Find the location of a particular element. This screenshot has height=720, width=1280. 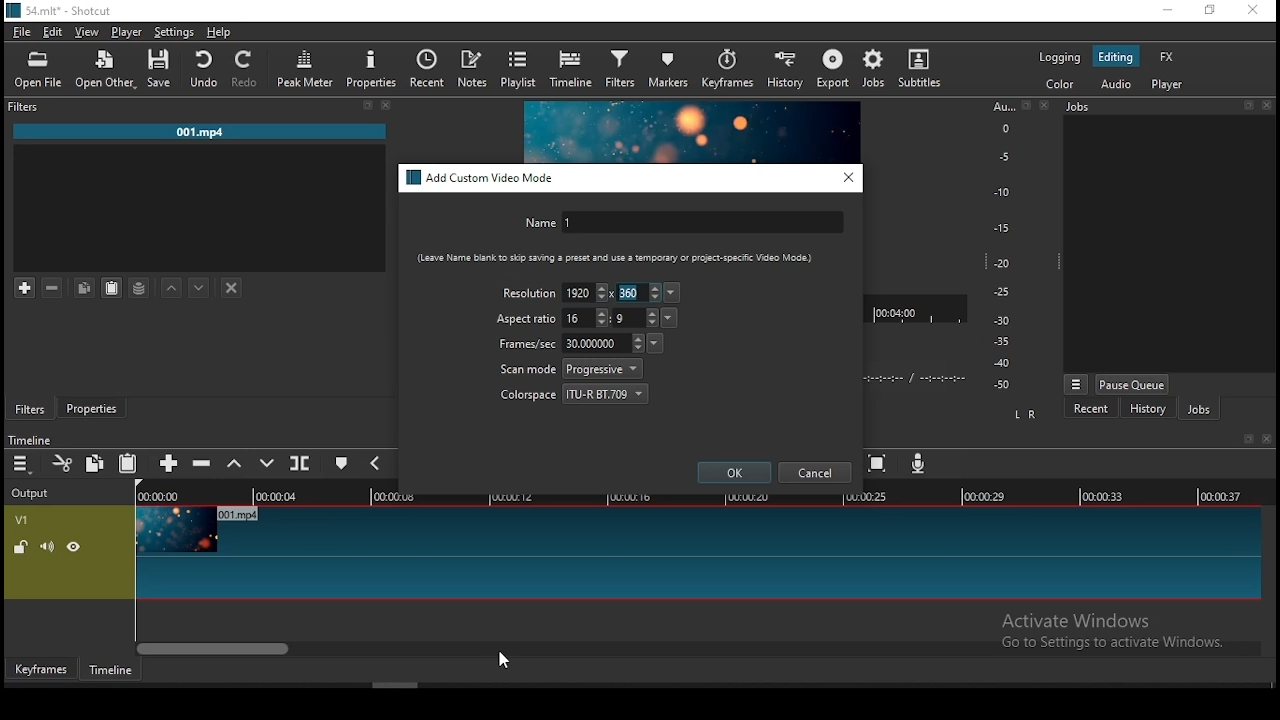

append is located at coordinates (170, 465).